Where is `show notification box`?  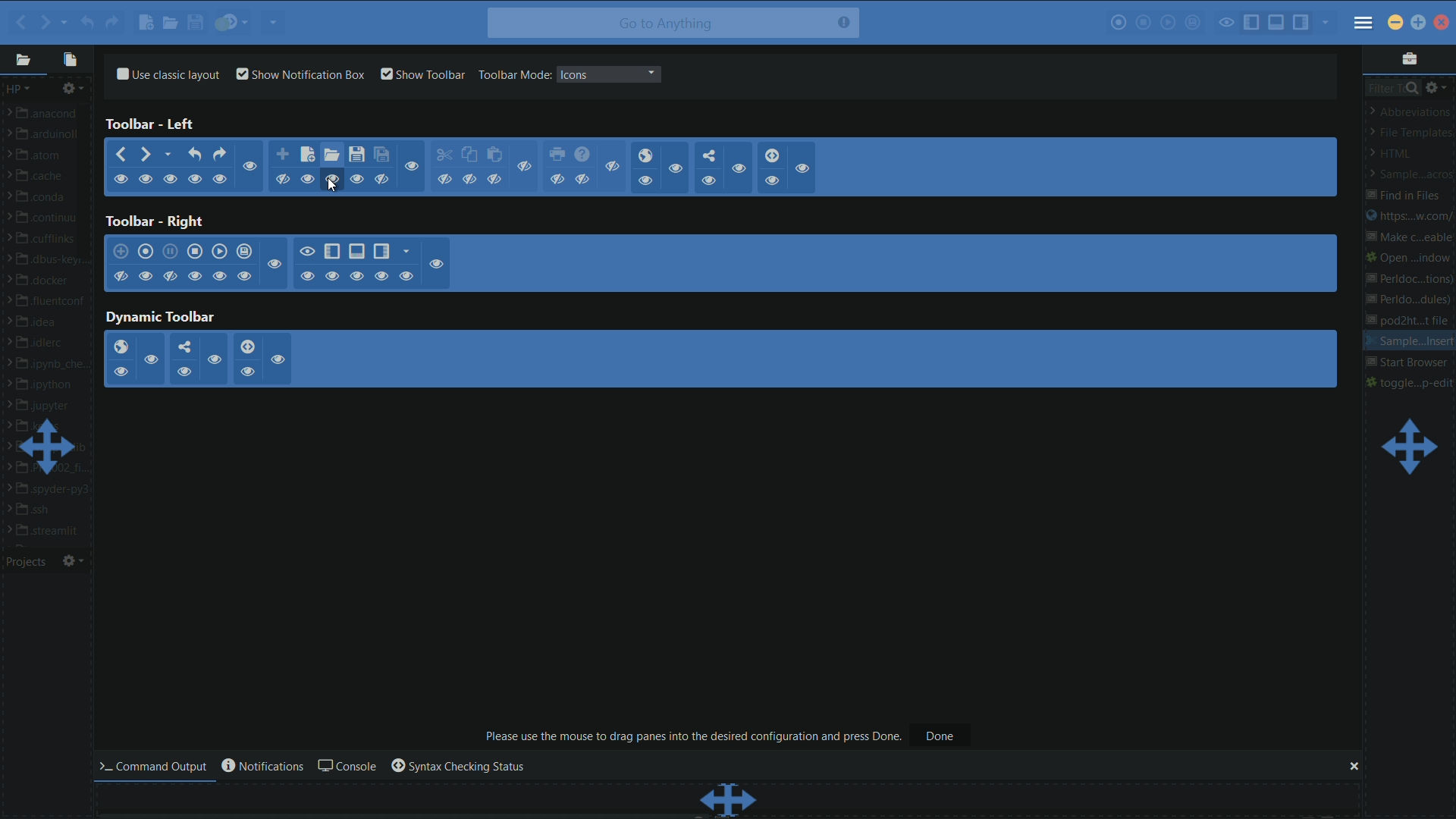 show notification box is located at coordinates (302, 74).